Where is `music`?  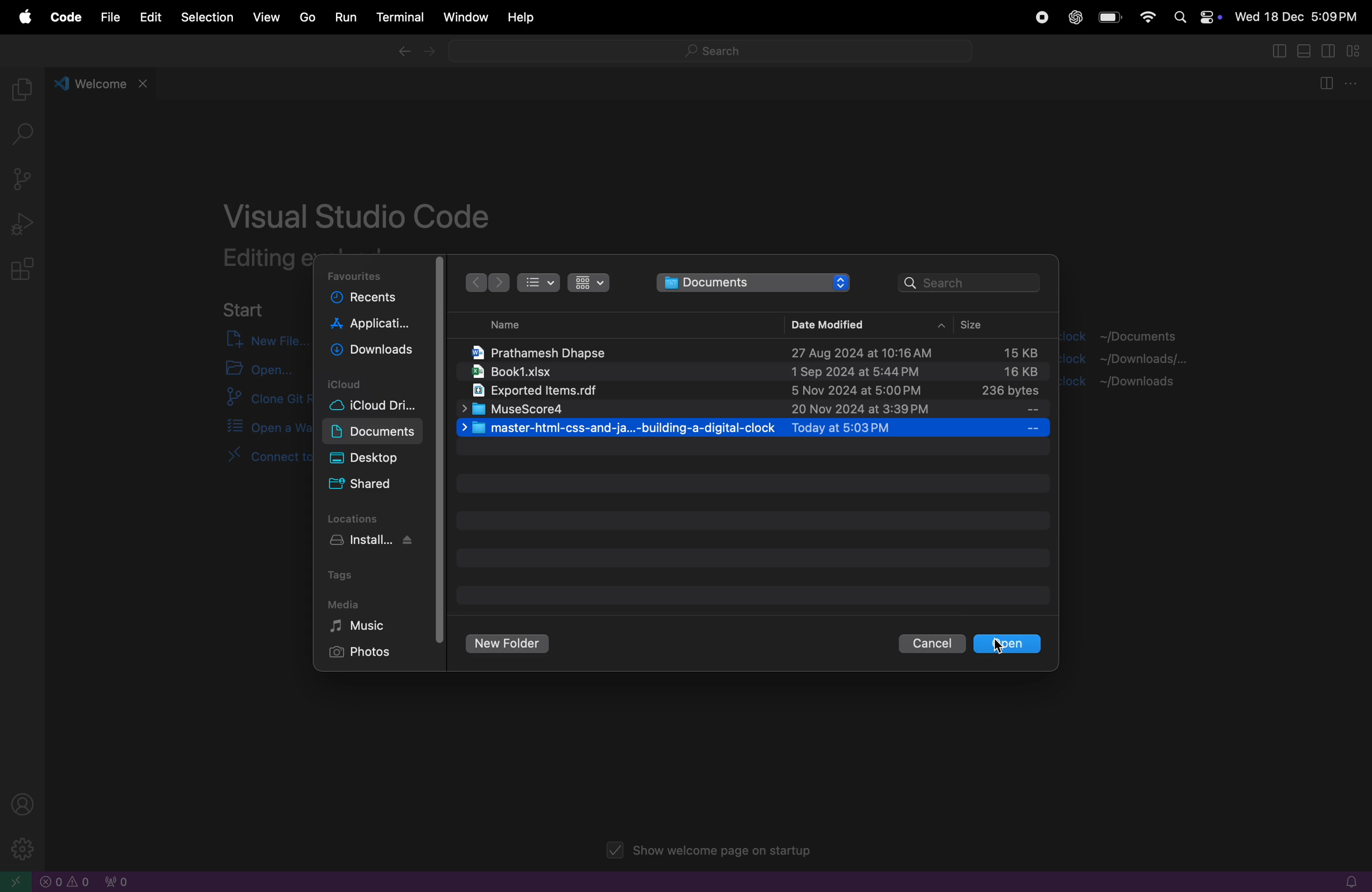 music is located at coordinates (372, 626).